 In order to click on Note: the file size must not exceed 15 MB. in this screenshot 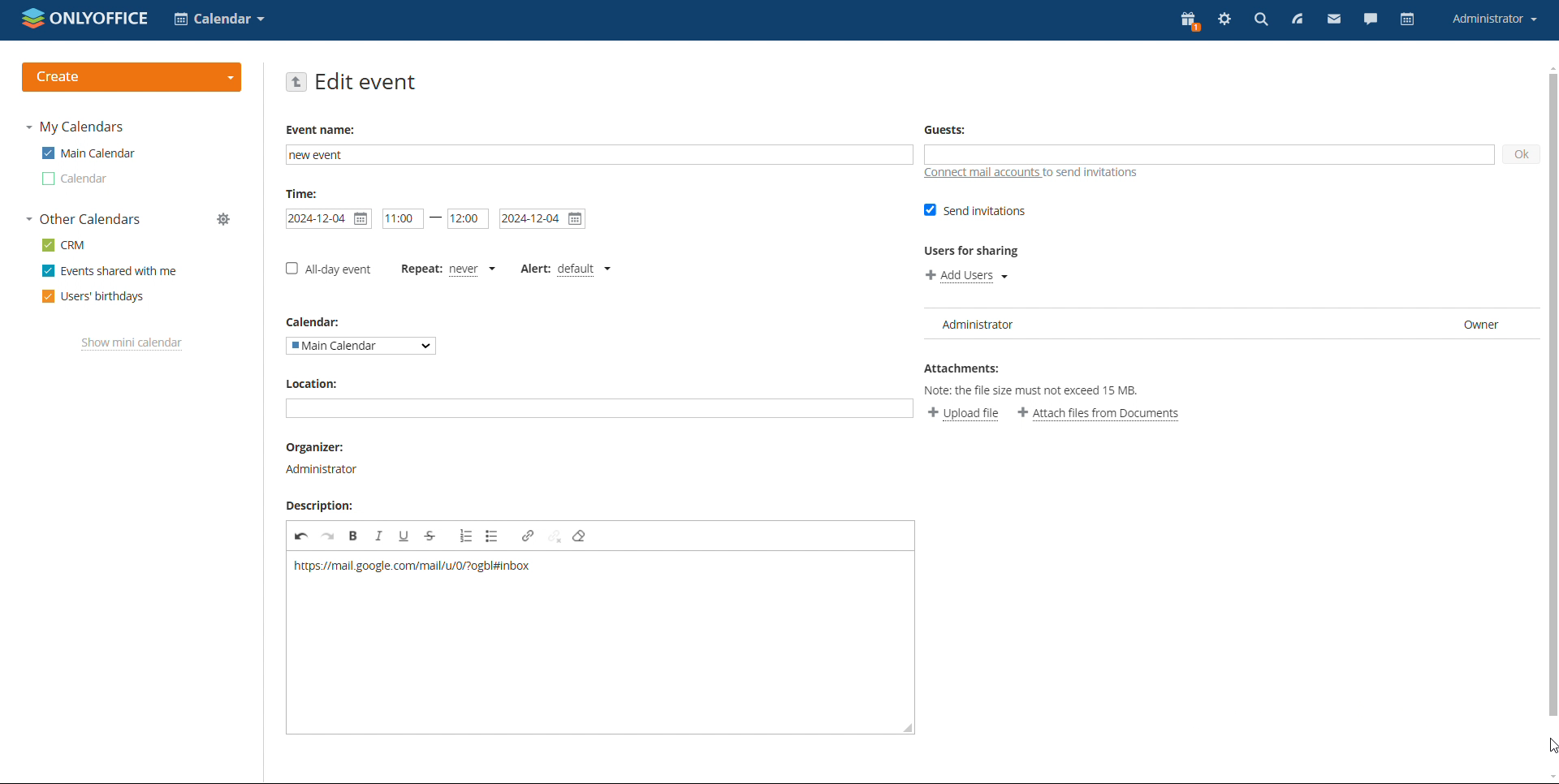, I will do `click(1036, 393)`.